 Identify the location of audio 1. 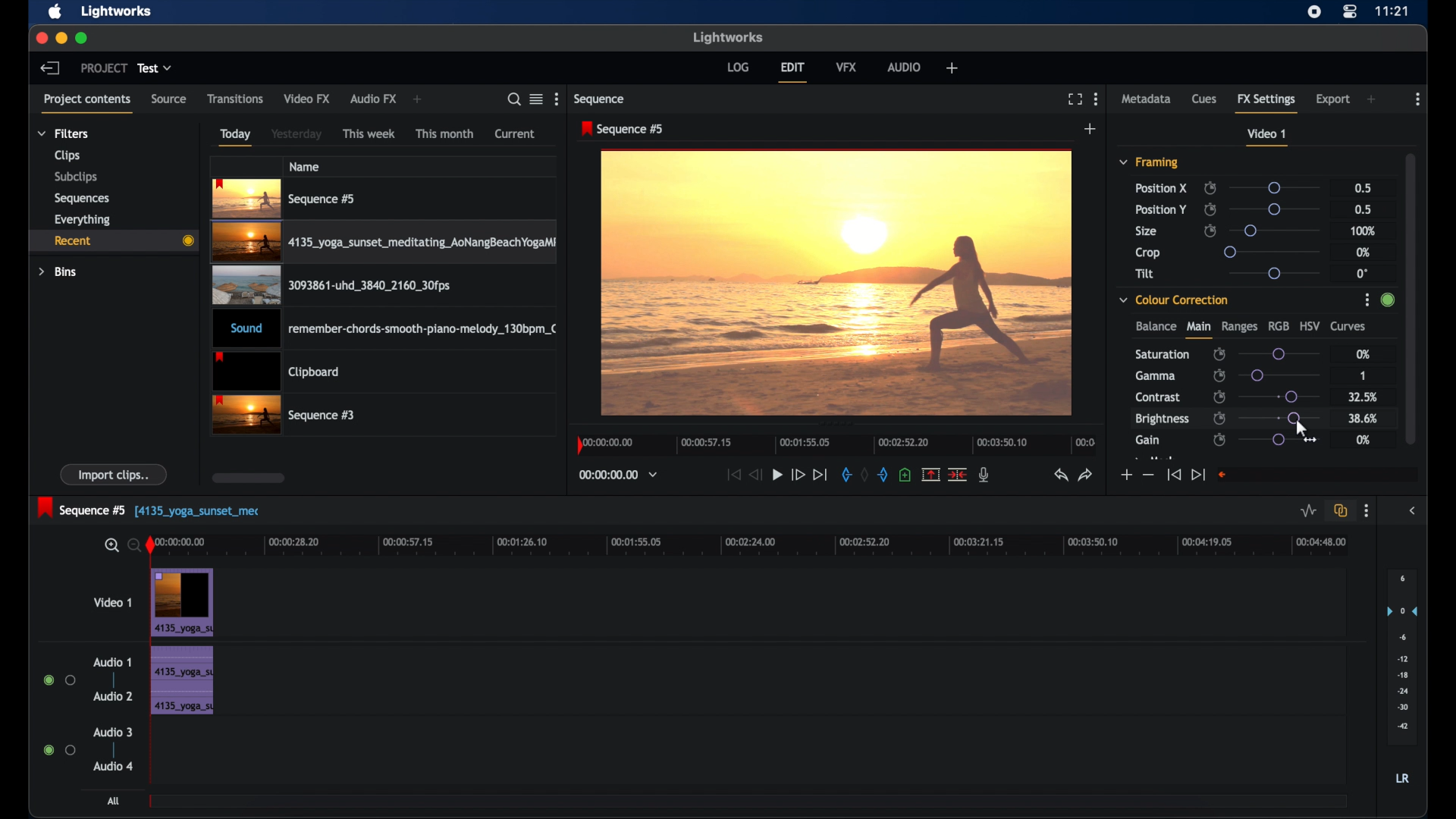
(111, 662).